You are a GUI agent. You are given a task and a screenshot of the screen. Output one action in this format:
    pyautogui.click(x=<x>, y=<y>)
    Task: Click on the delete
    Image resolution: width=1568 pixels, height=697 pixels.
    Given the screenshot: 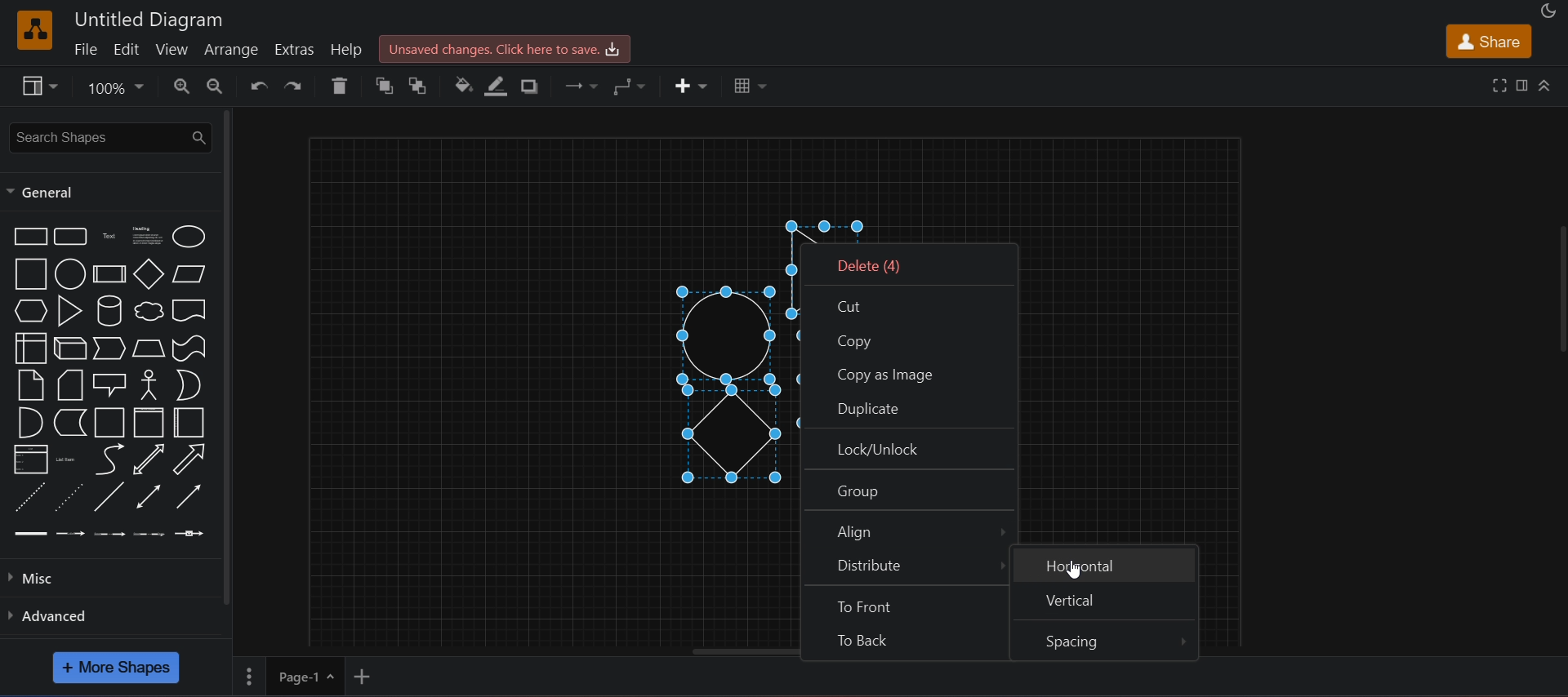 What is the action you would take?
    pyautogui.click(x=907, y=264)
    